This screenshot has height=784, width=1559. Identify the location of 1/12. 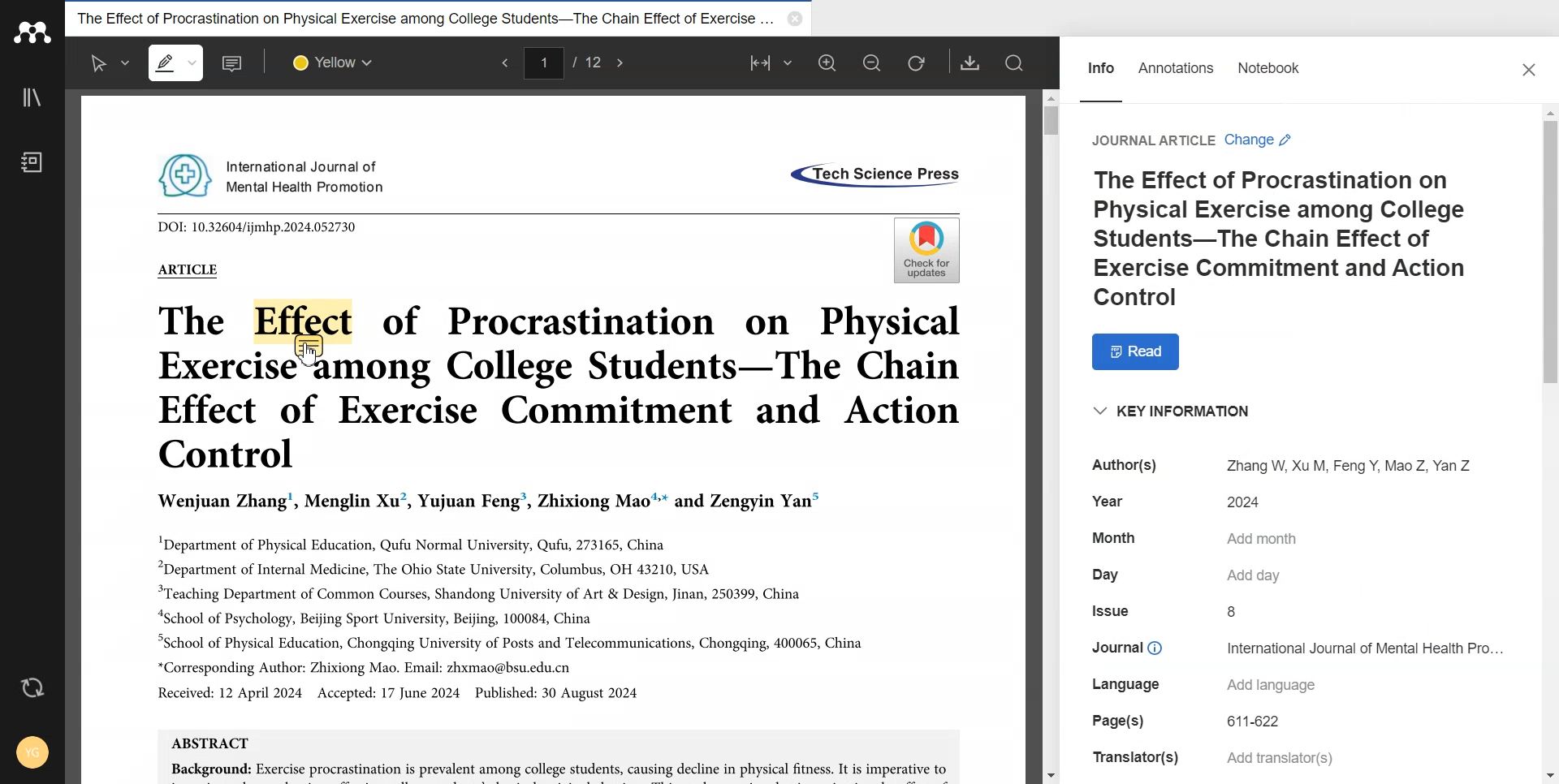
(564, 64).